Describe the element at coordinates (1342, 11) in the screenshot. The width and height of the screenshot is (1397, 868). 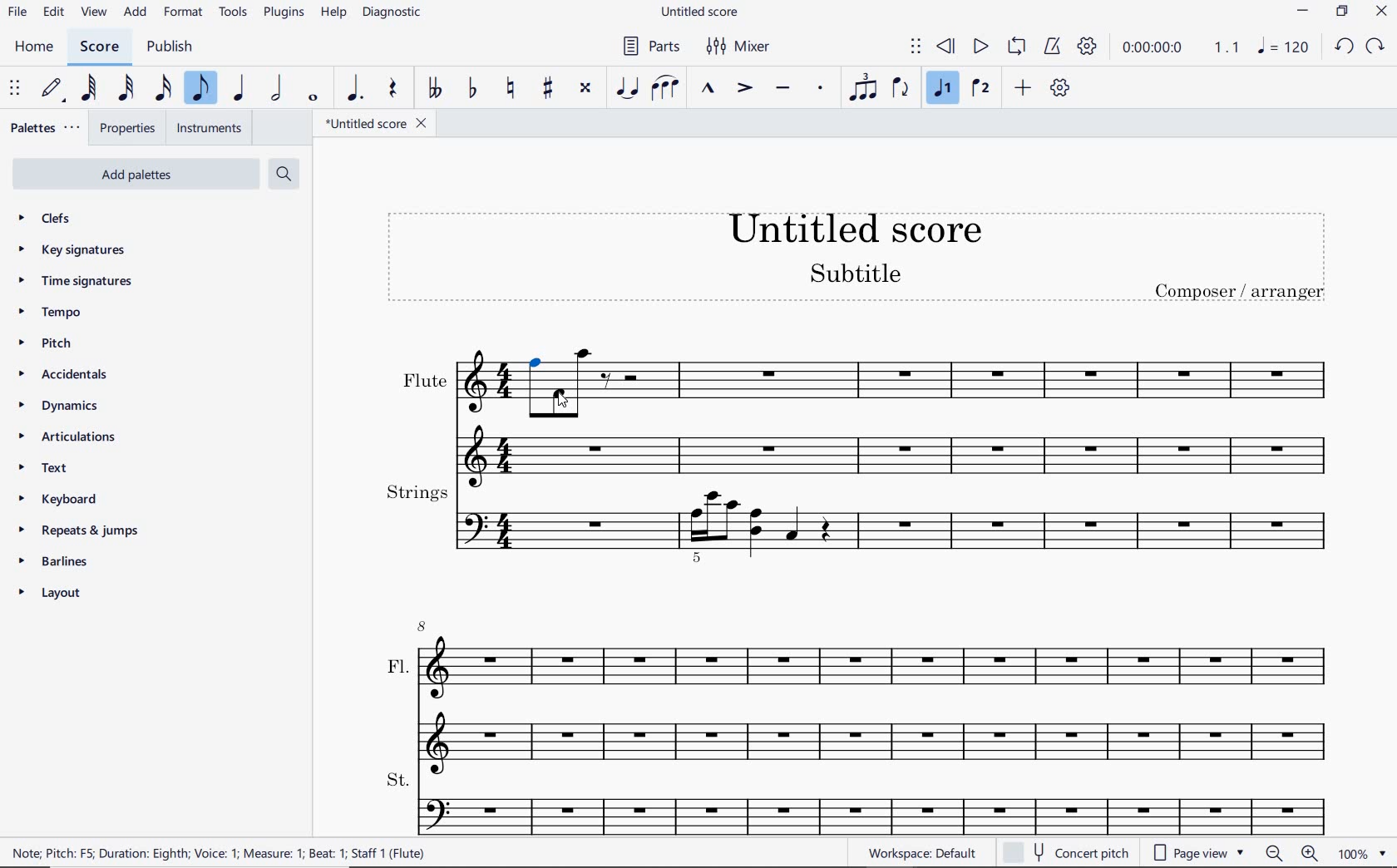
I see `restore down` at that location.